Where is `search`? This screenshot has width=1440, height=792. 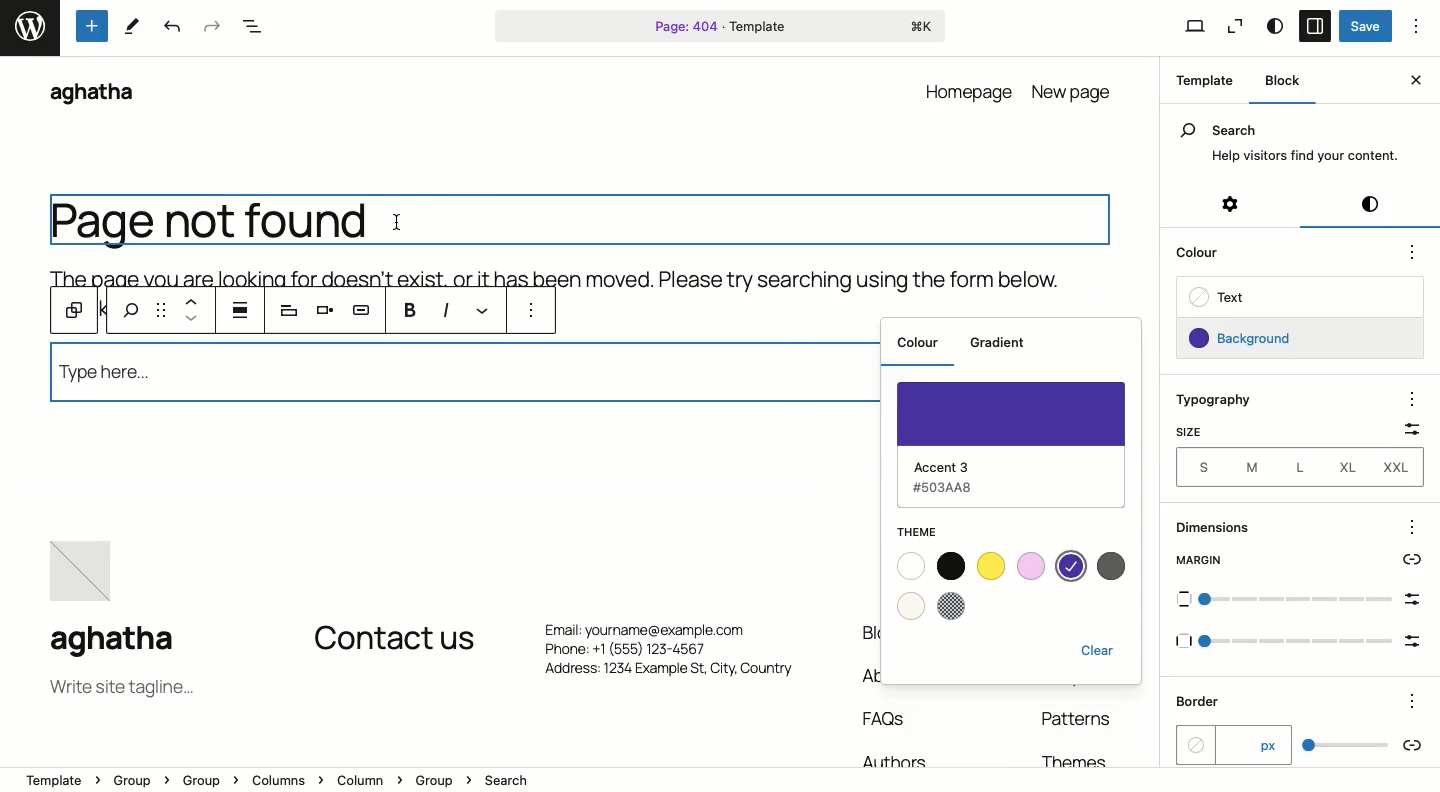
search is located at coordinates (130, 312).